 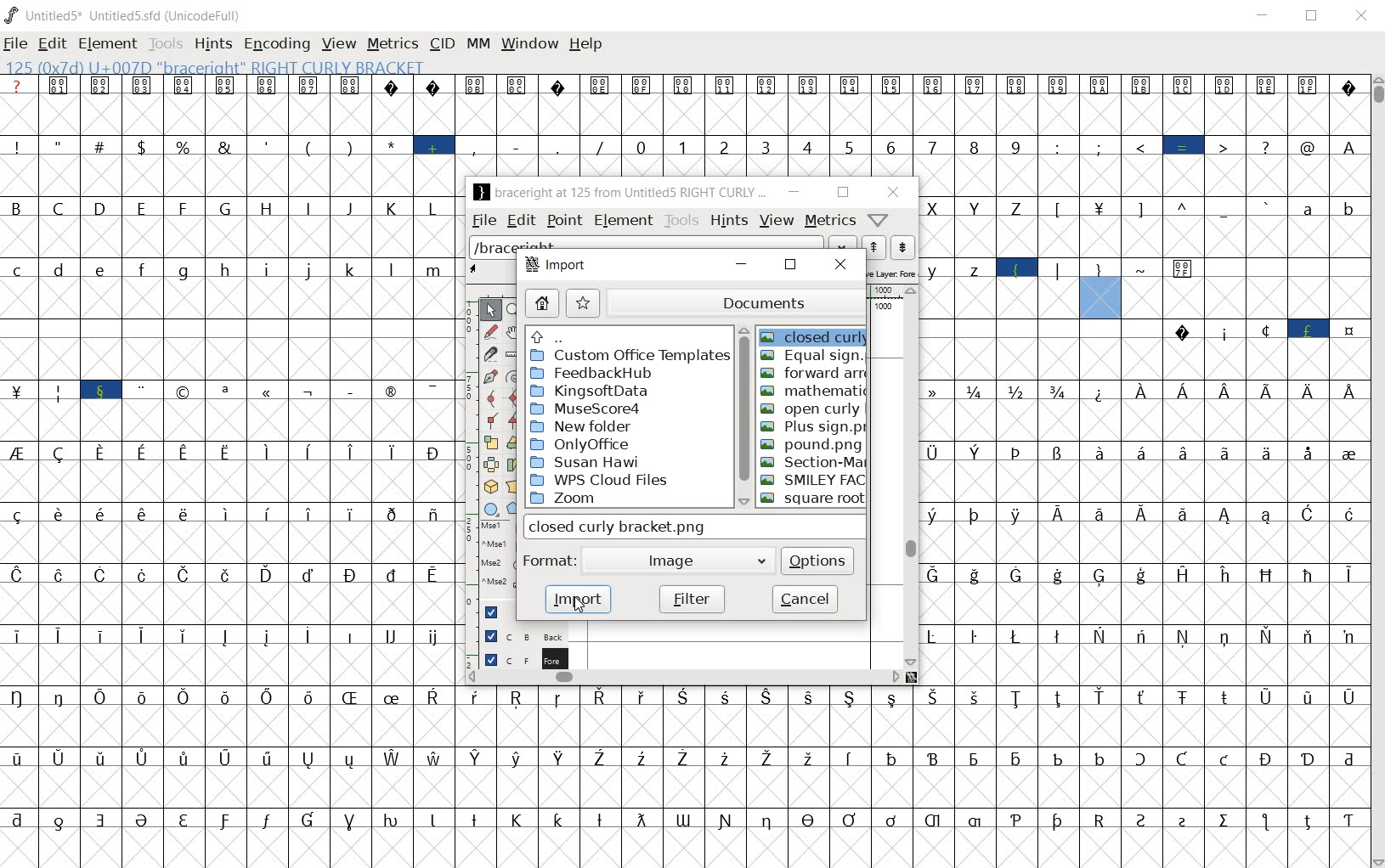 I want to click on MINIMIZE, so click(x=1264, y=15).